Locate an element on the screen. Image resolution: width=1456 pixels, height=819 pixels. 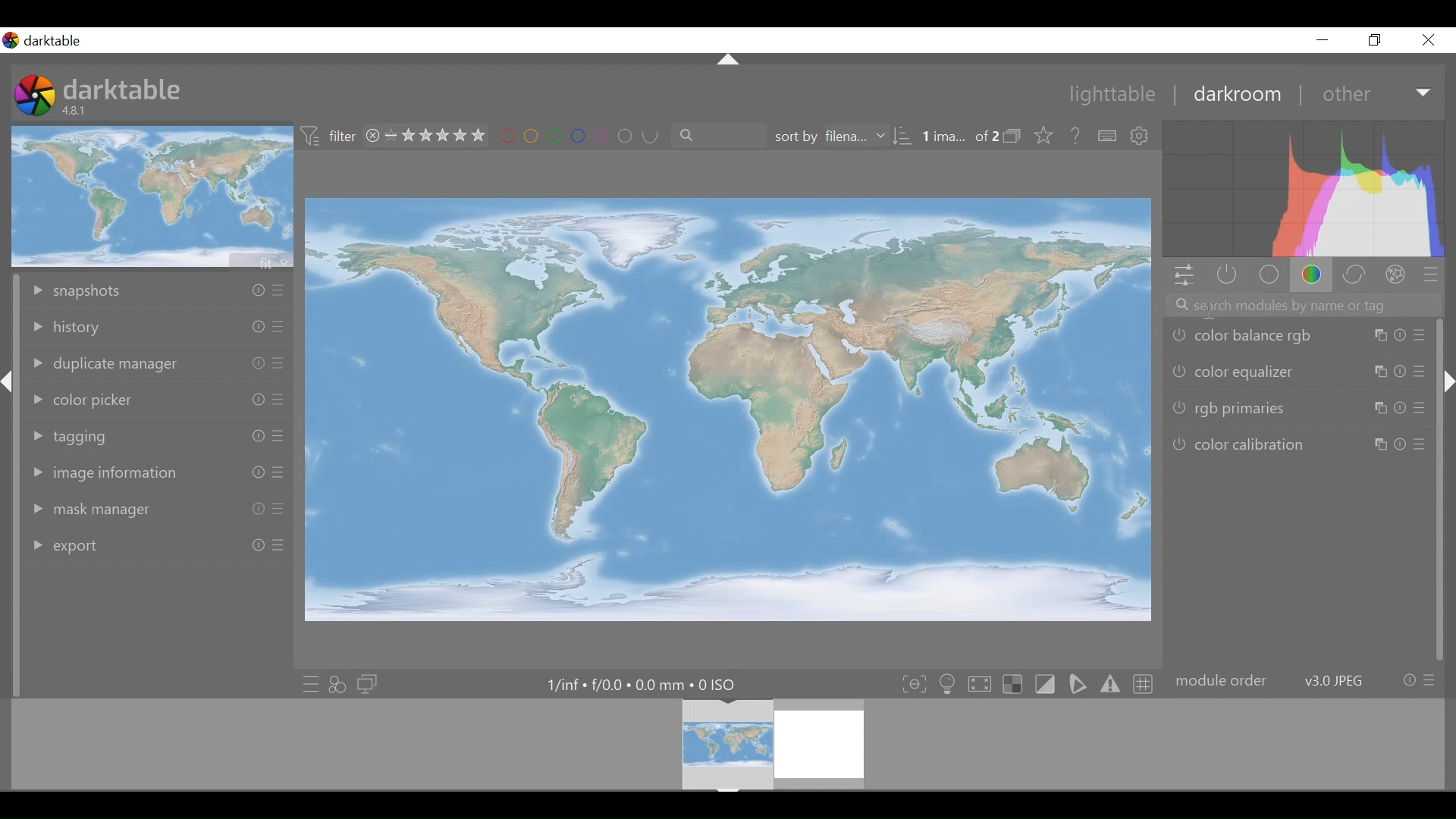
base is located at coordinates (1267, 275).